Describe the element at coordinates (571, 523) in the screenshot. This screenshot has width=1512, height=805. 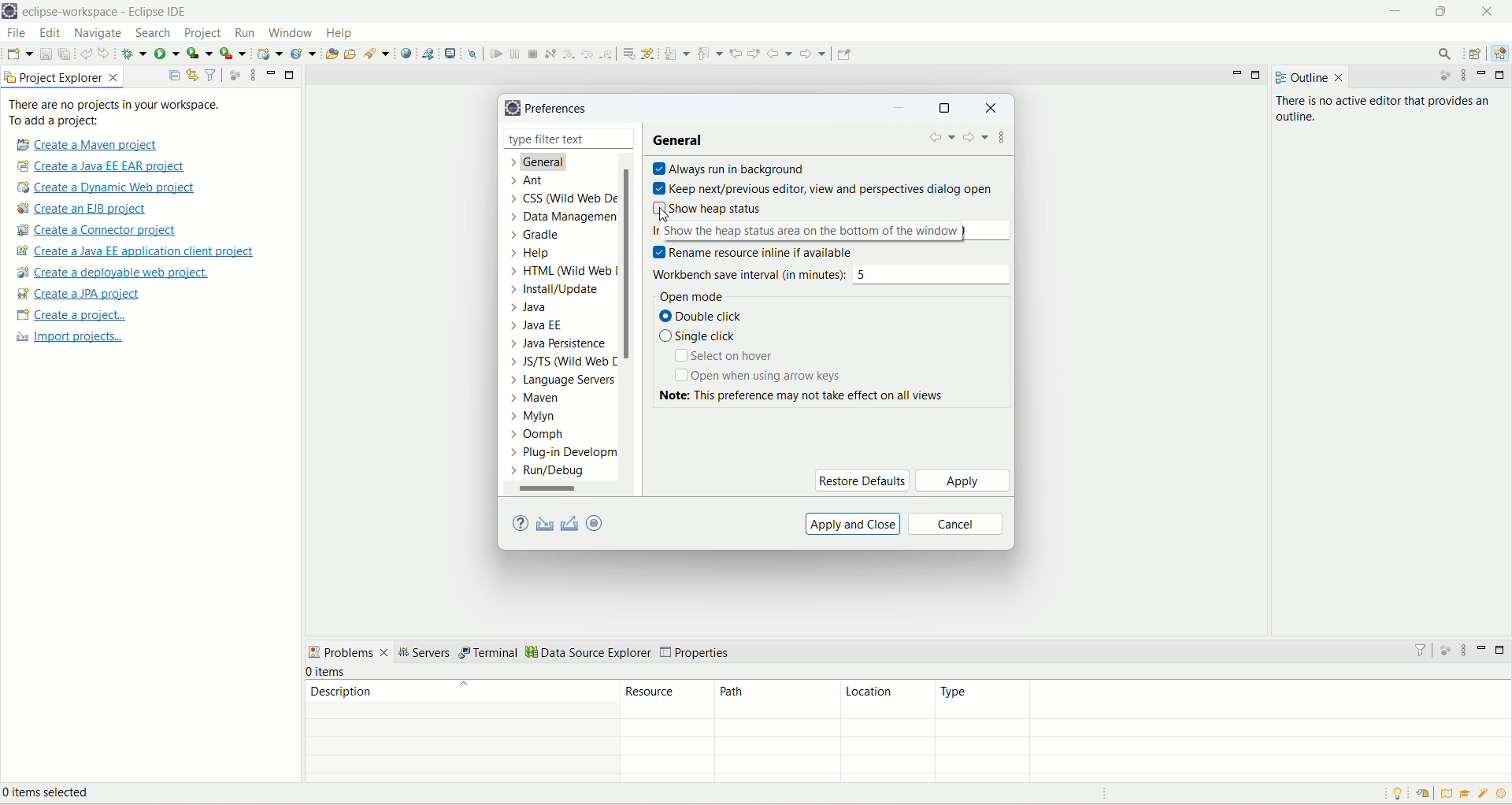
I see `export` at that location.